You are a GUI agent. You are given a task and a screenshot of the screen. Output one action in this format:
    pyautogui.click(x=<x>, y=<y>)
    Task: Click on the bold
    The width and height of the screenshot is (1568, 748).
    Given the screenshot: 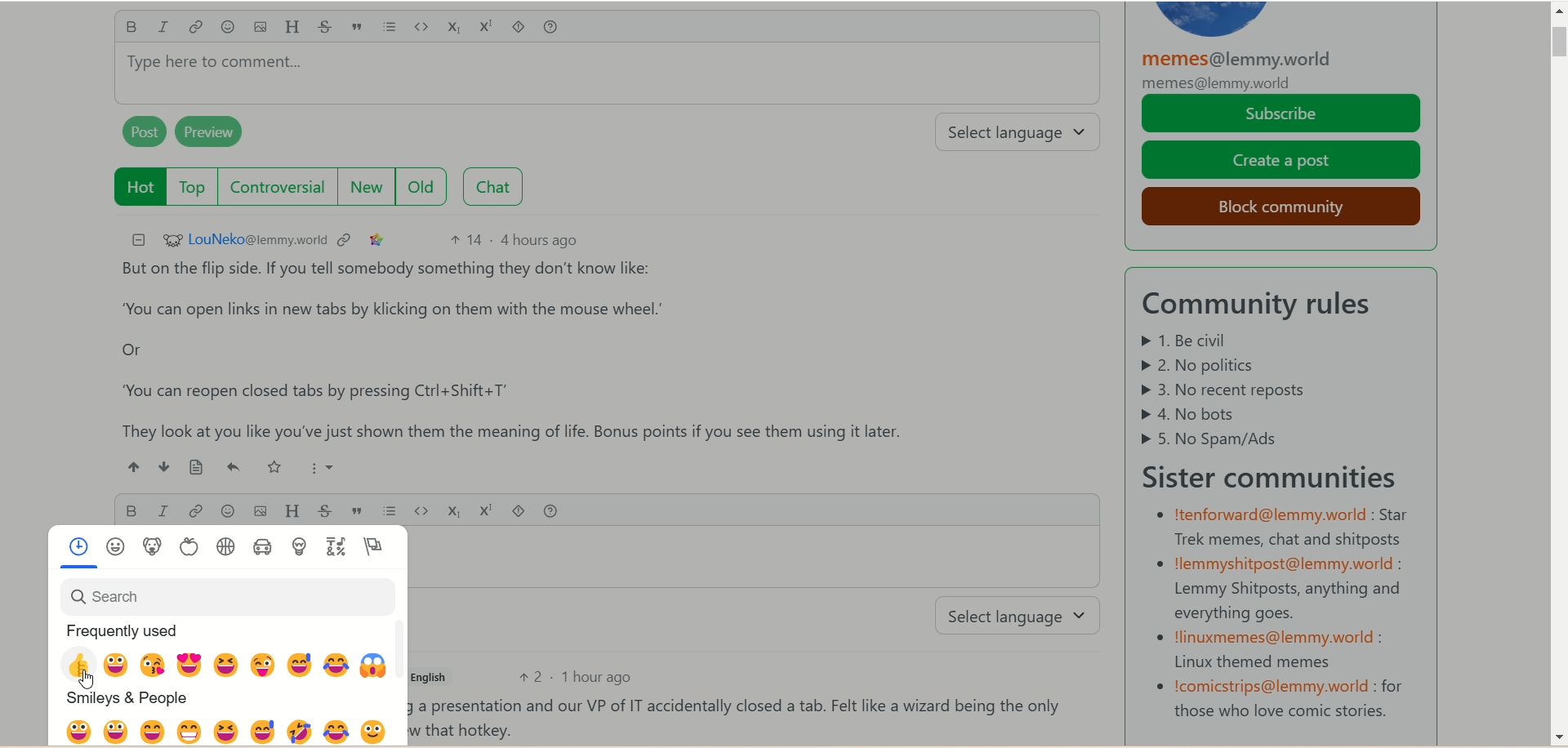 What is the action you would take?
    pyautogui.click(x=130, y=29)
    